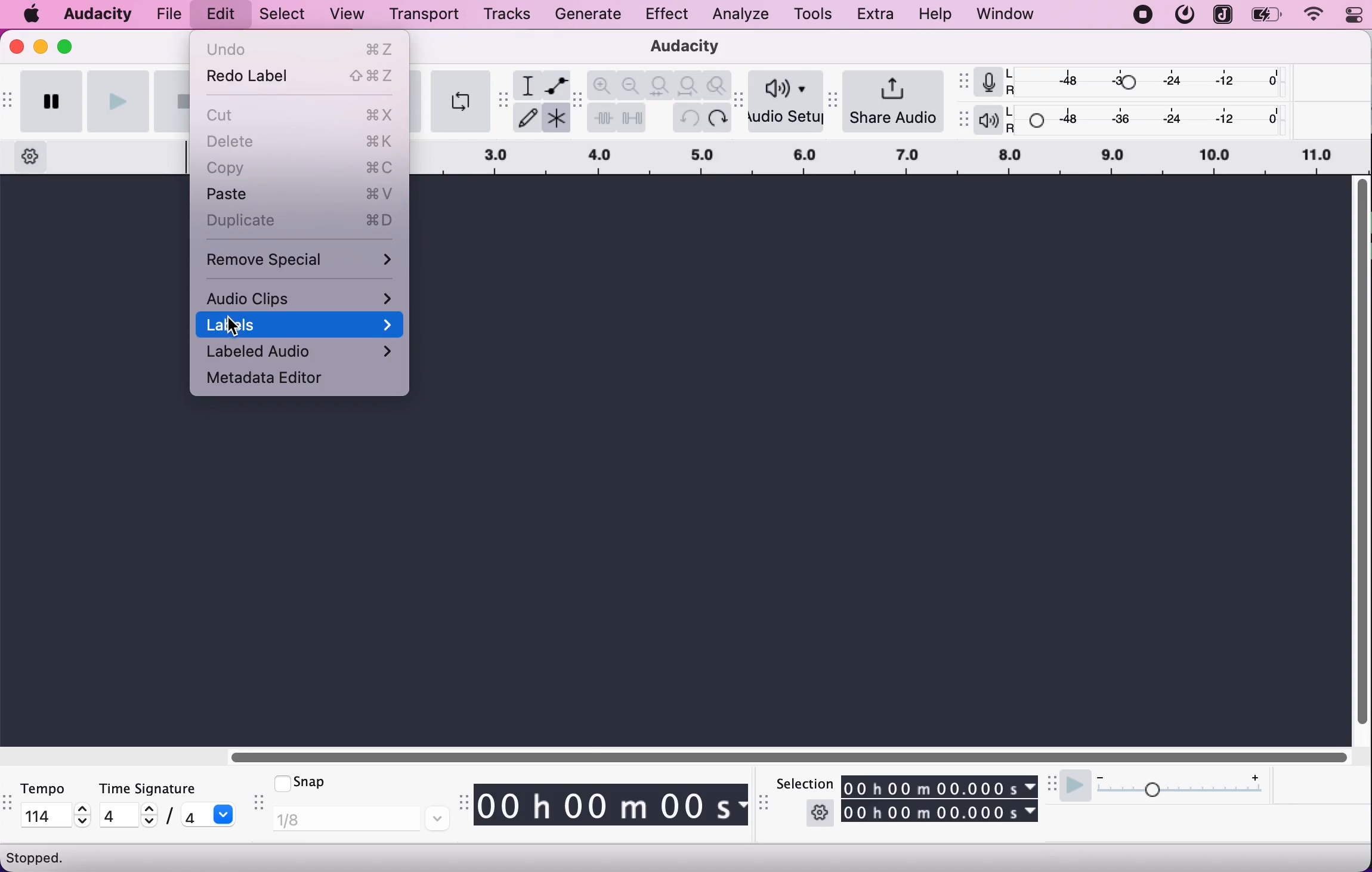 This screenshot has height=872, width=1372. What do you see at coordinates (459, 101) in the screenshot?
I see `enable looping` at bounding box center [459, 101].